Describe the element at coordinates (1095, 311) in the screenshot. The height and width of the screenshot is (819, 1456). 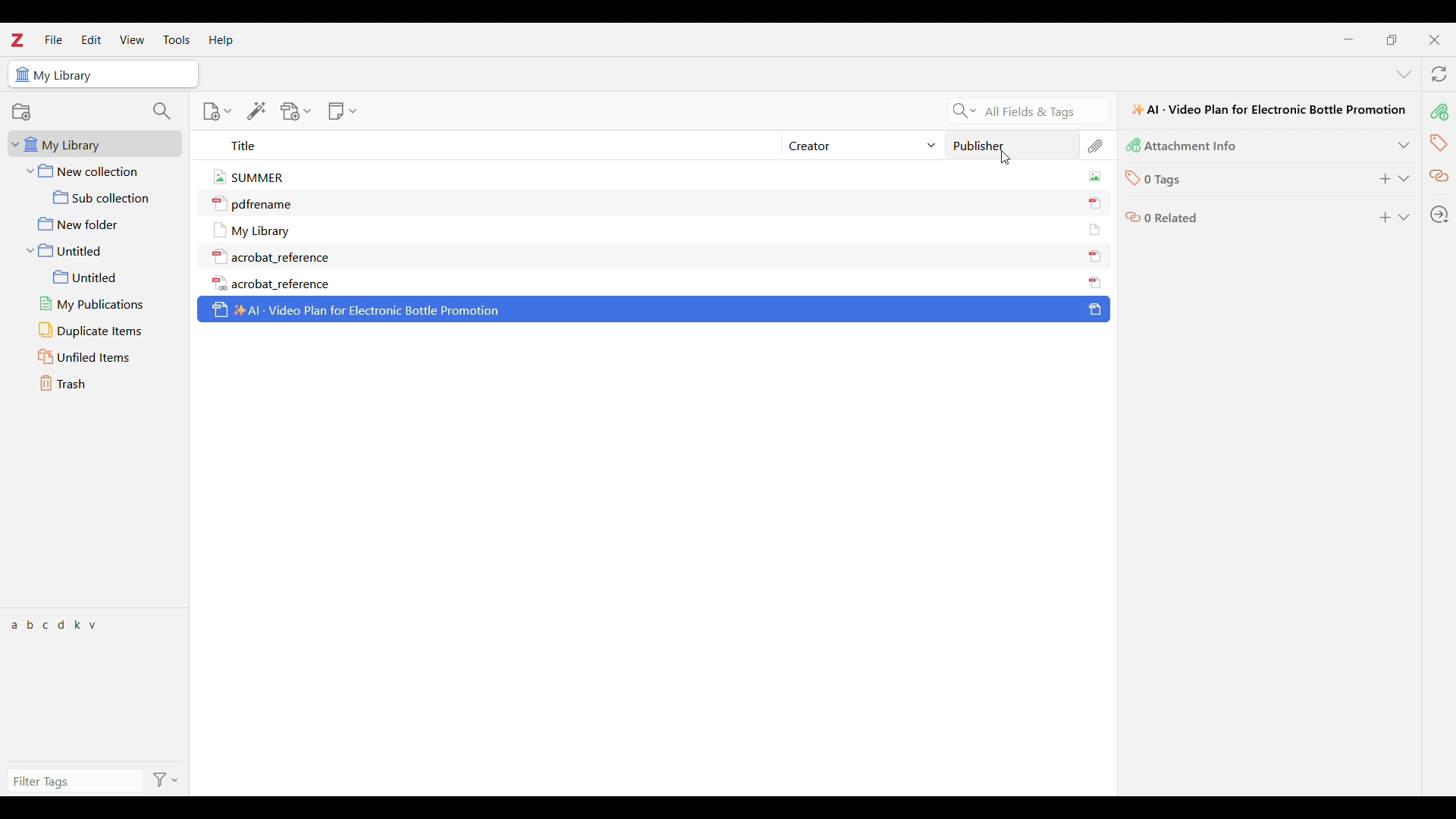
I see `icon` at that location.